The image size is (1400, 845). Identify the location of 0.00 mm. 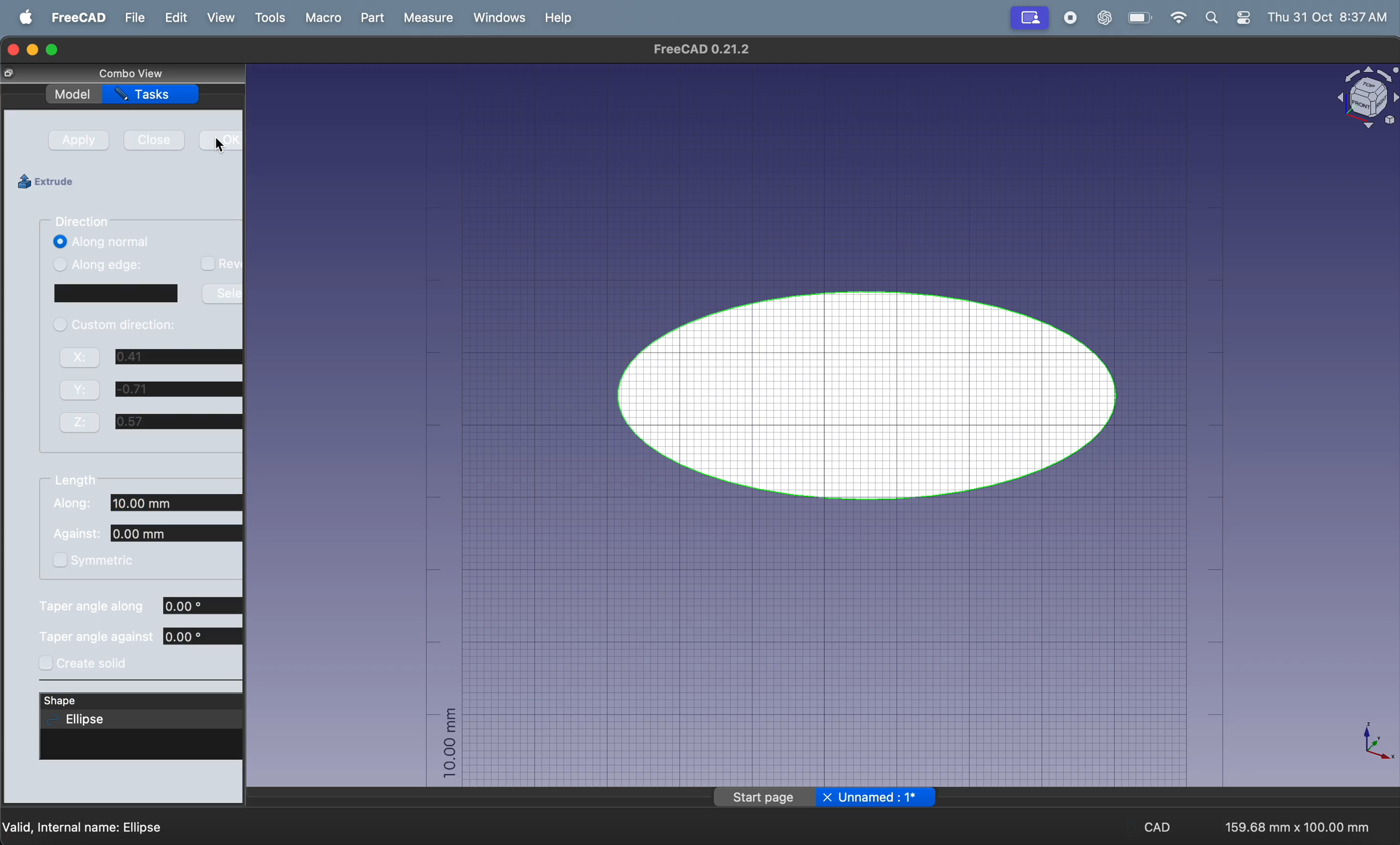
(205, 635).